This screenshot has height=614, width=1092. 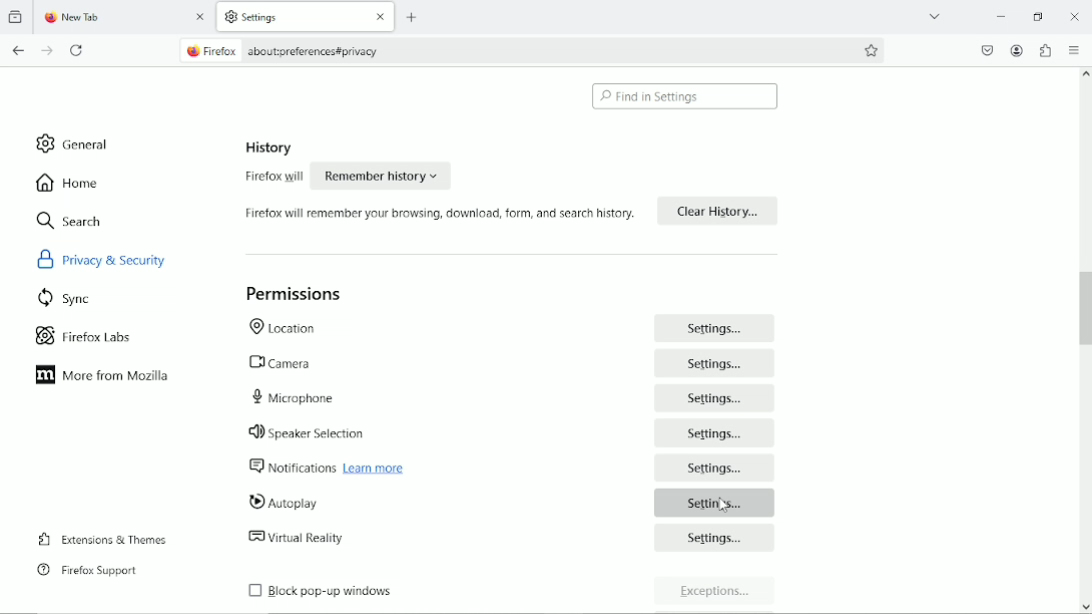 I want to click on Settings..., so click(x=714, y=539).